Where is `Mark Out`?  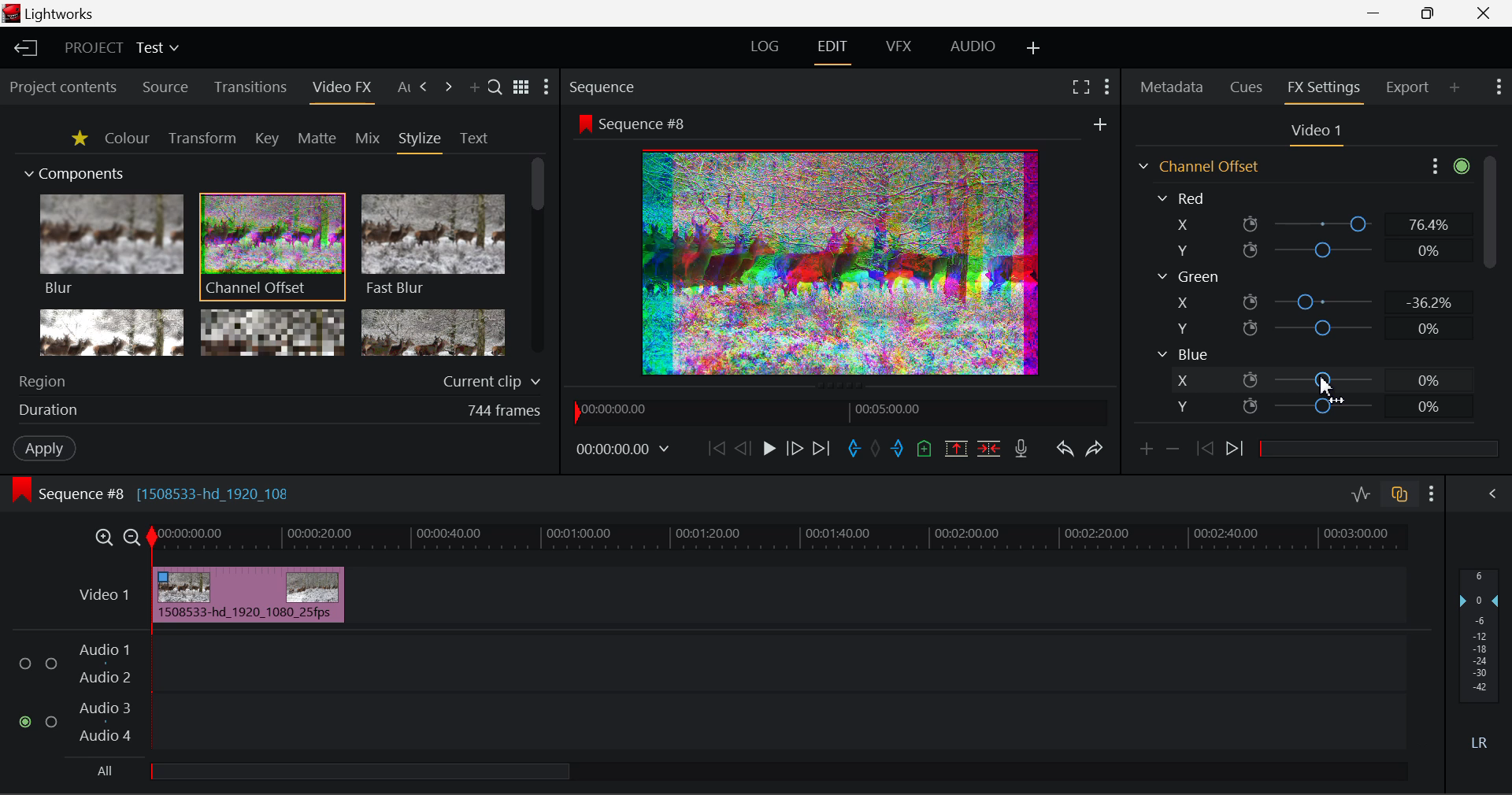
Mark Out is located at coordinates (896, 449).